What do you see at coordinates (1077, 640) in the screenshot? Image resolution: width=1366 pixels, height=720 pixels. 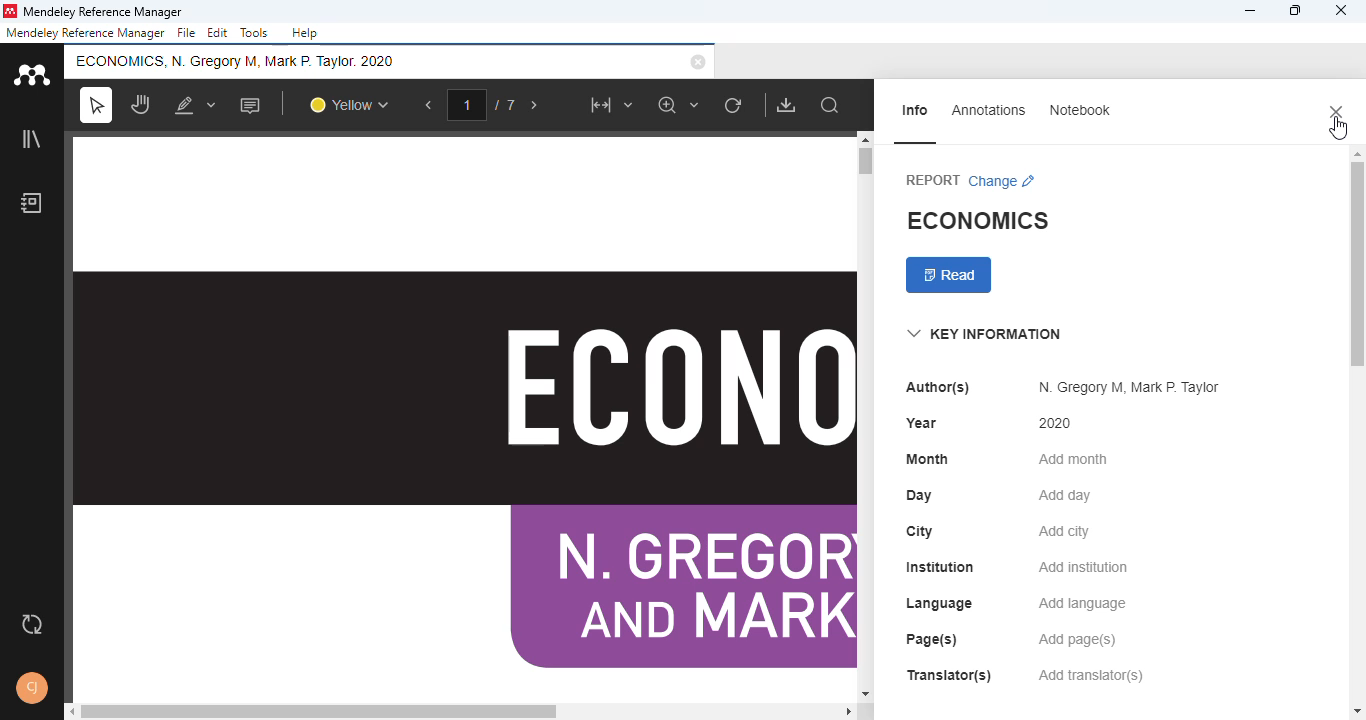 I see `add page(s)` at bounding box center [1077, 640].